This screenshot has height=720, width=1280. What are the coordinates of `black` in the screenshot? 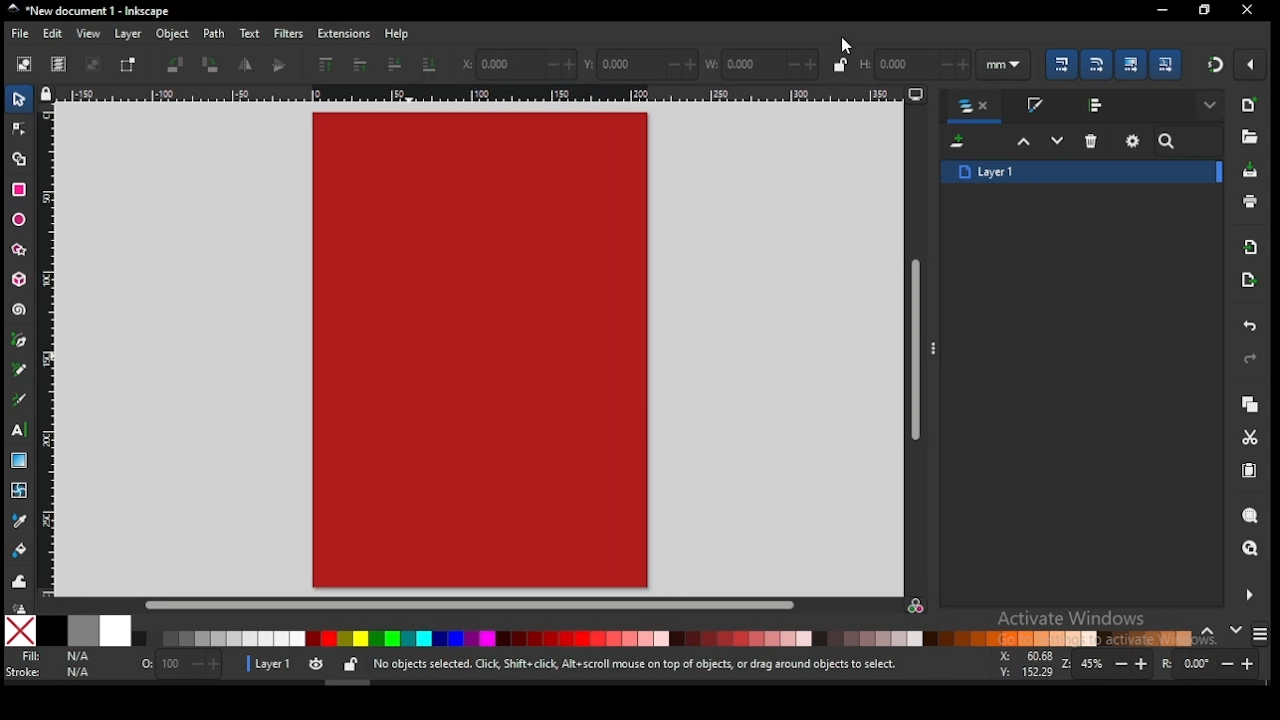 It's located at (52, 631).